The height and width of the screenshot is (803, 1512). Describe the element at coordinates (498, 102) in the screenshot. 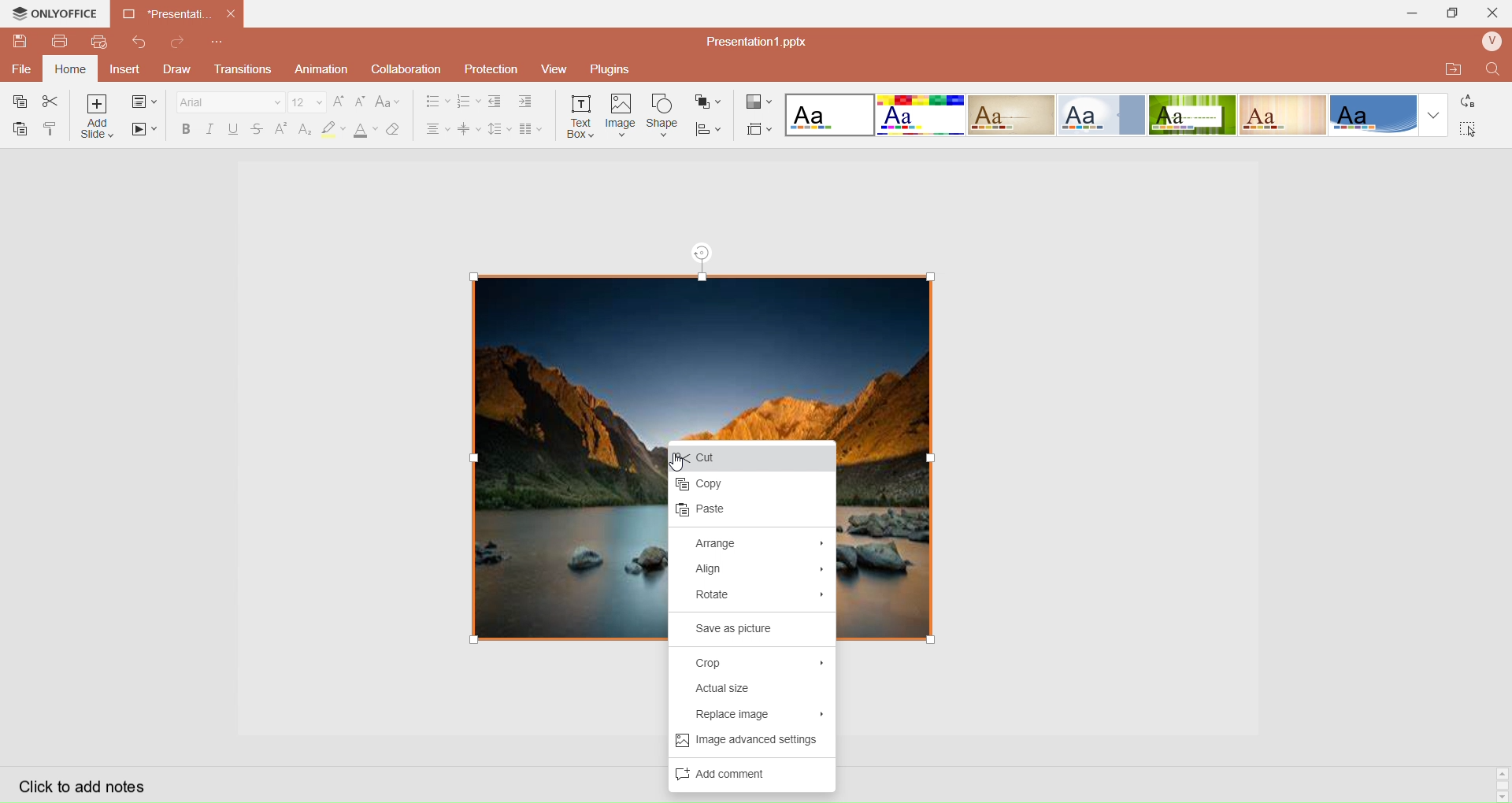

I see `Decrease indent` at that location.